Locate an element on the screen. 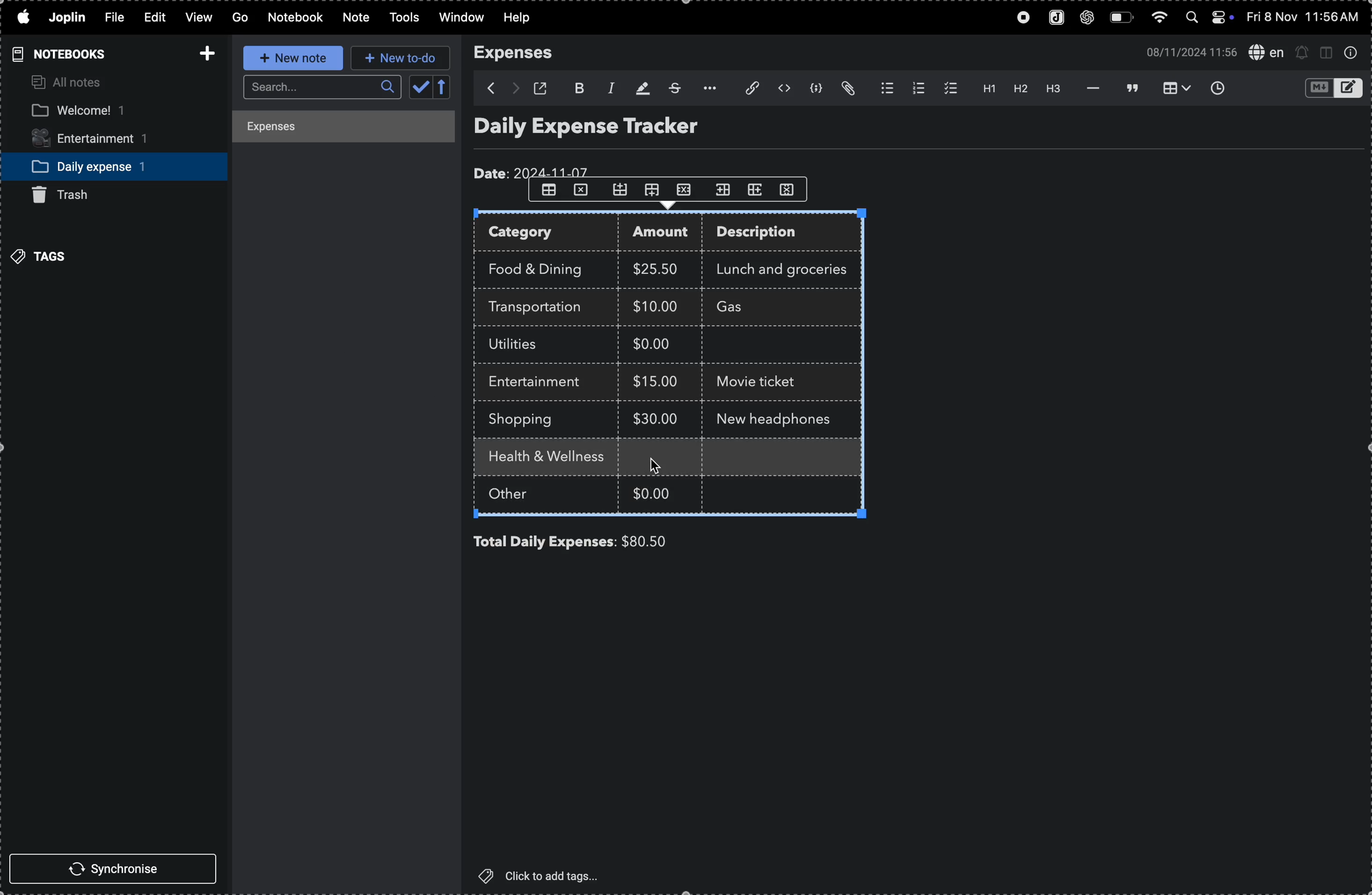 This screenshot has width=1372, height=895. $30.00 is located at coordinates (655, 419).